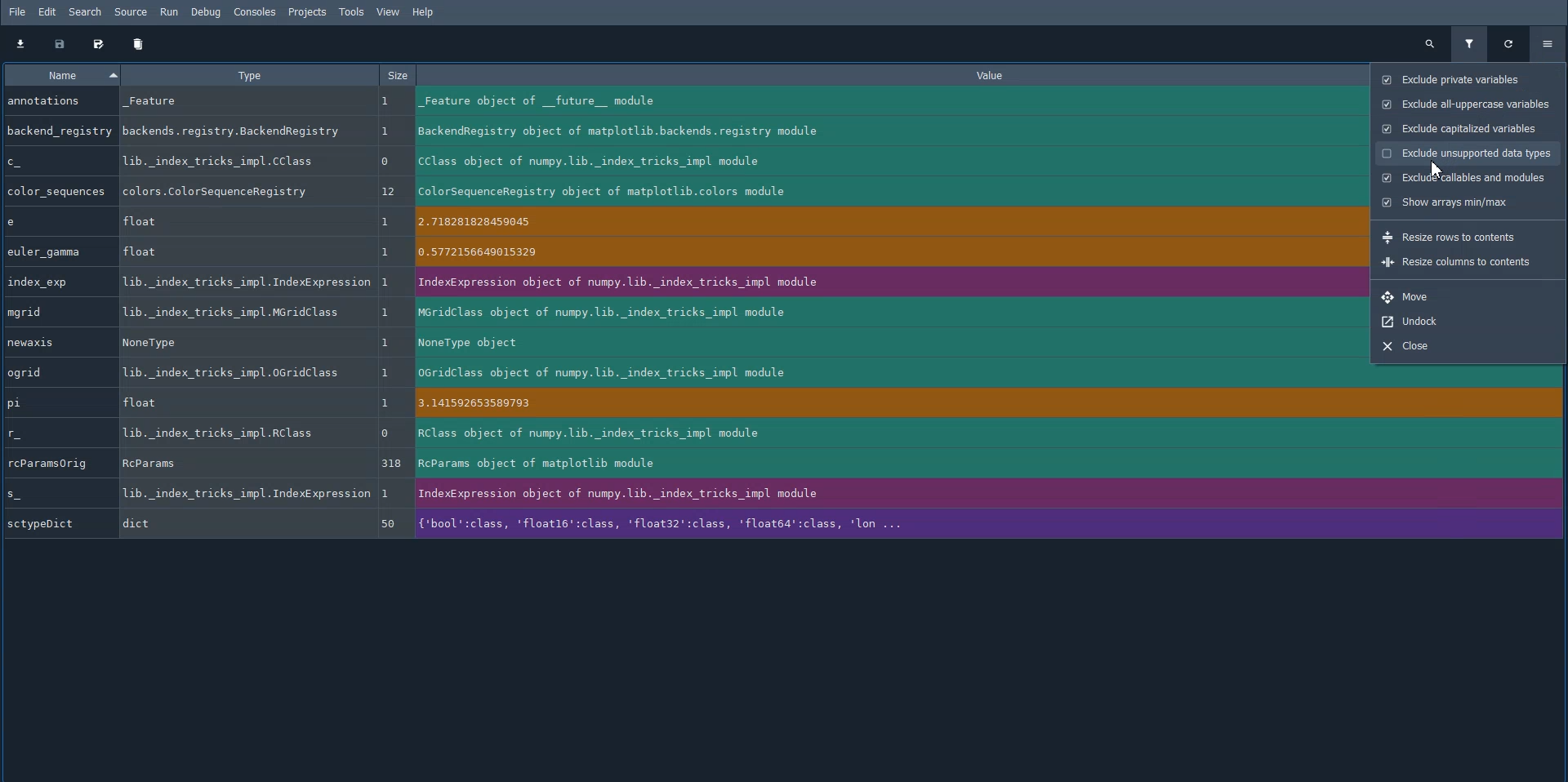  What do you see at coordinates (890, 522) in the screenshot?
I see `{'bool':class, 'floatl6':class, 'float32':class, 'float64':class, 'lon ...` at bounding box center [890, 522].